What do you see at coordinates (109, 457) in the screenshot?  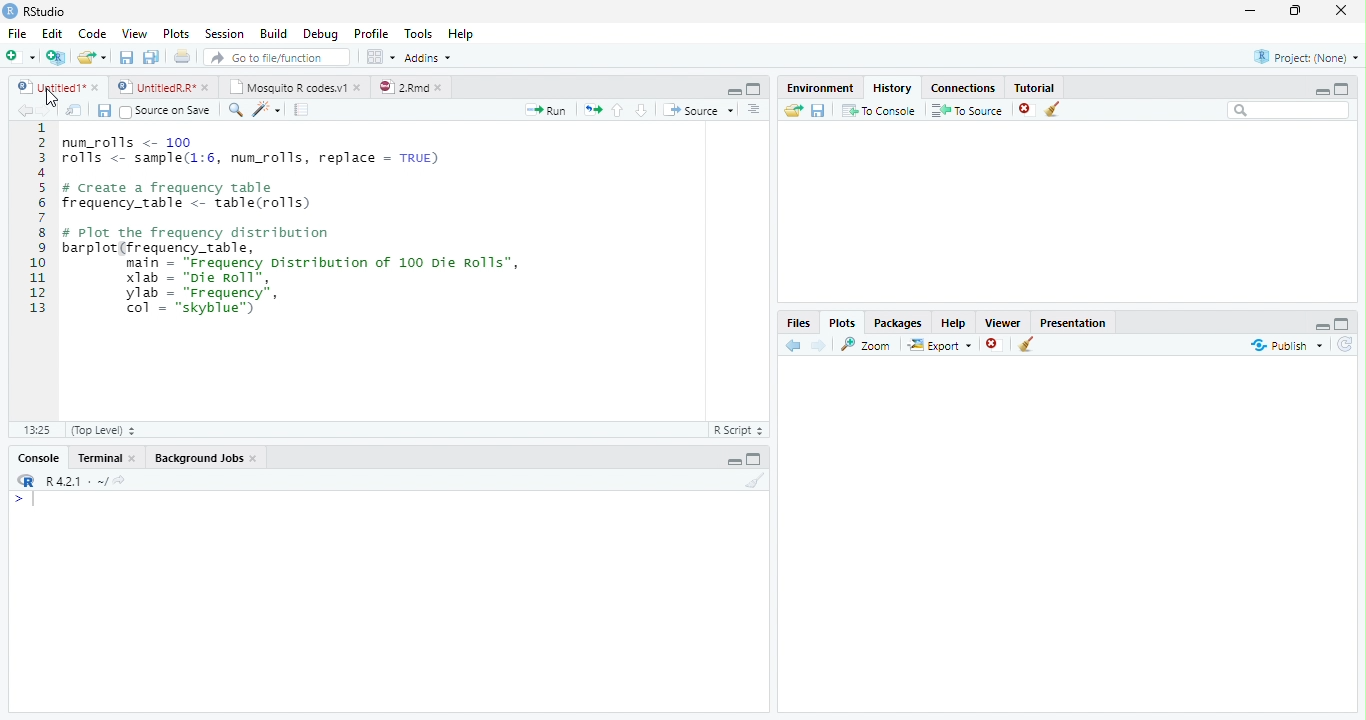 I see `Terminal` at bounding box center [109, 457].